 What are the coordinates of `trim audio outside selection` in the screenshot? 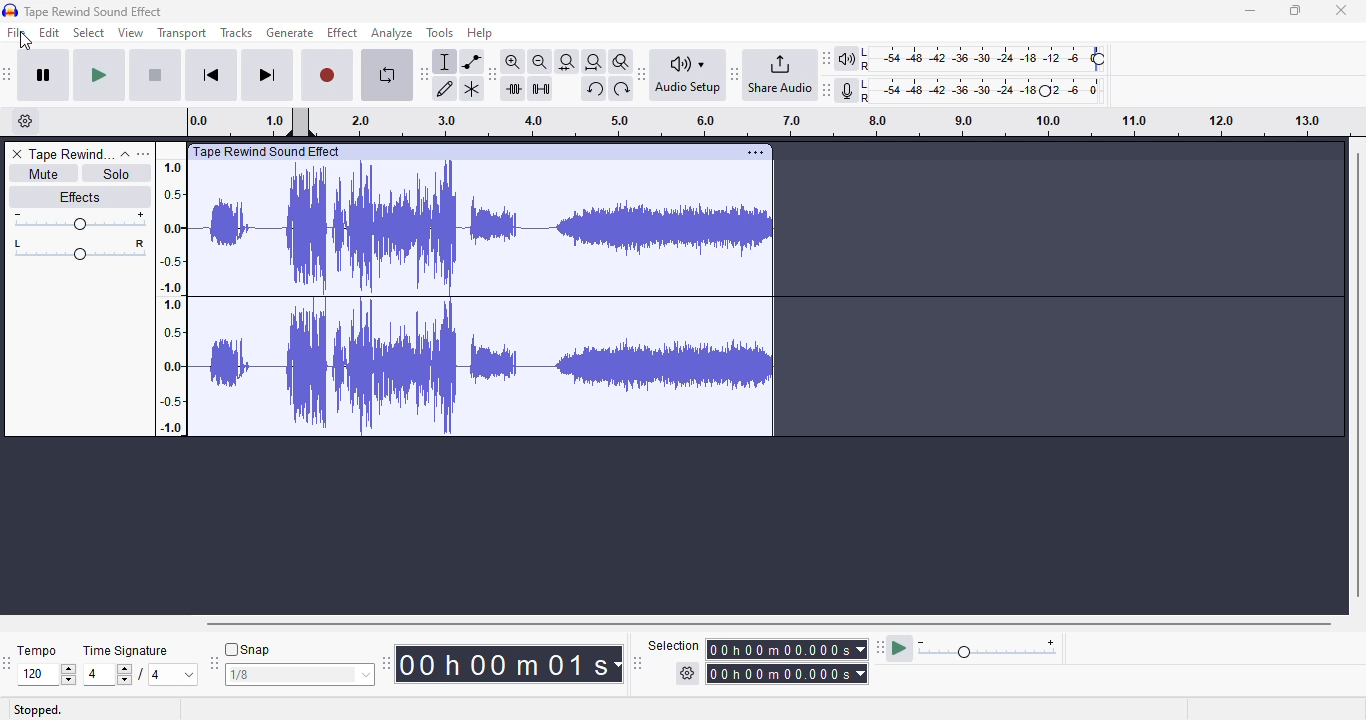 It's located at (513, 88).